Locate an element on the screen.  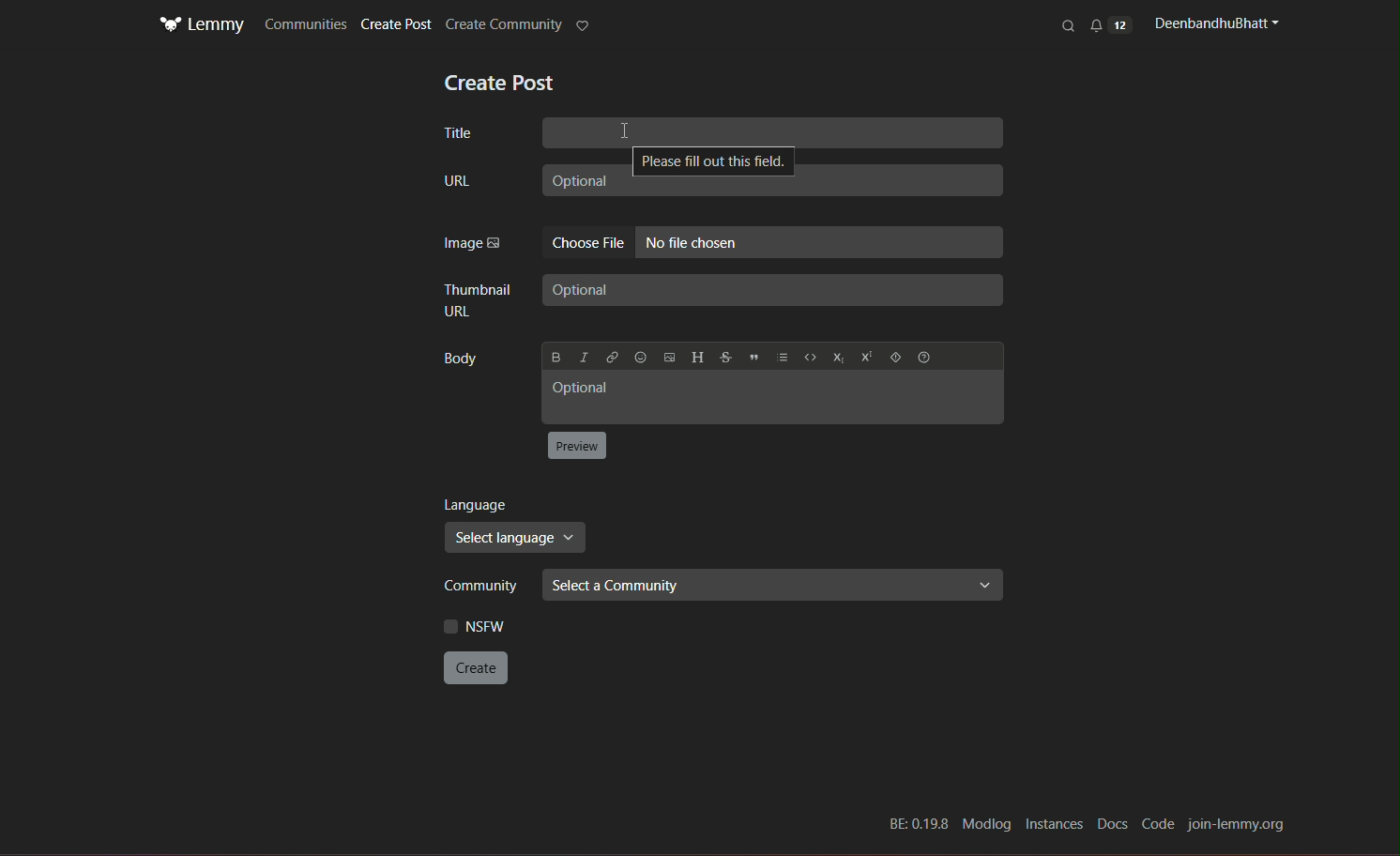
Emoji is located at coordinates (641, 357).